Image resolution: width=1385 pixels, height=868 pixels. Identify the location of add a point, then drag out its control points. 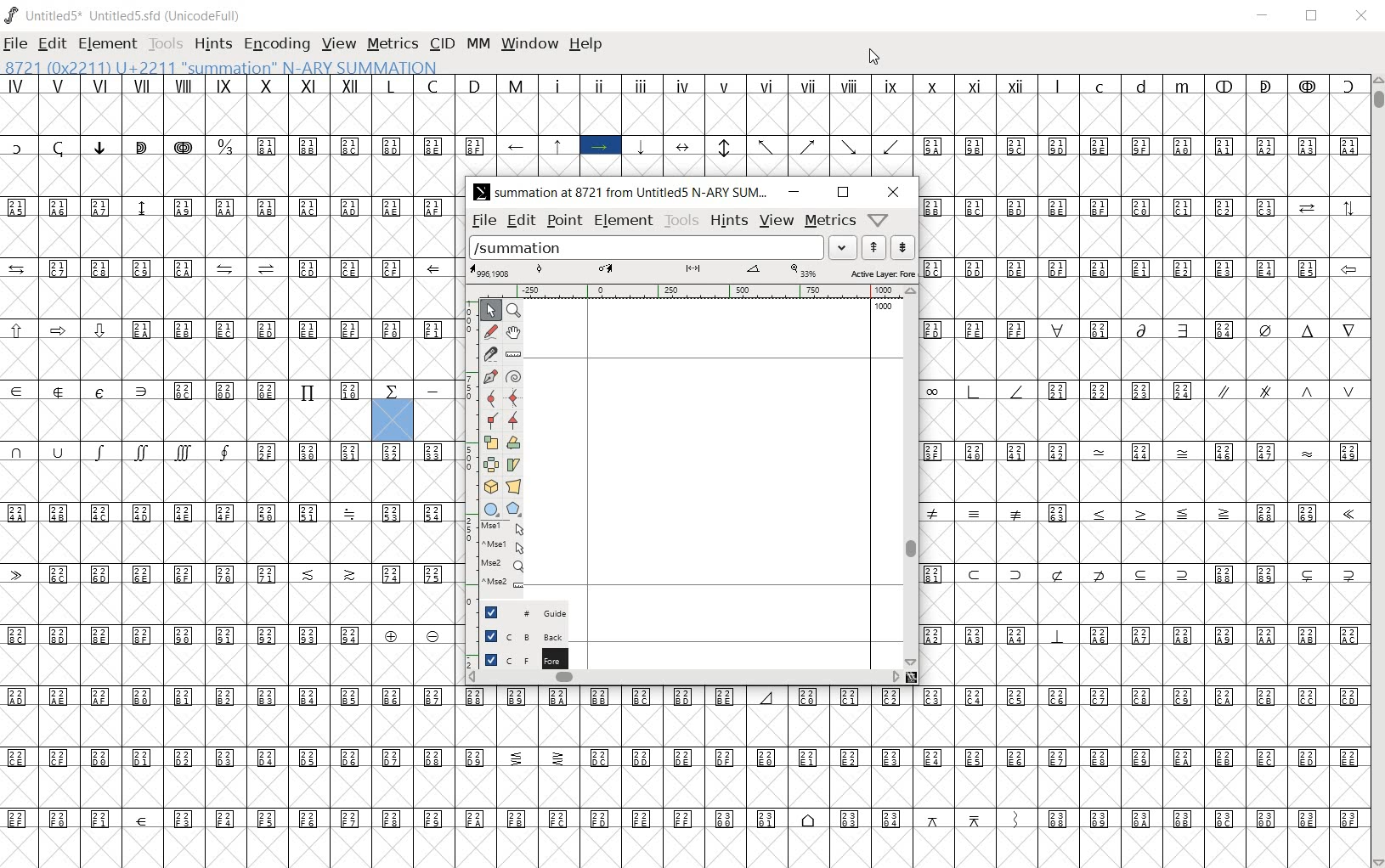
(490, 375).